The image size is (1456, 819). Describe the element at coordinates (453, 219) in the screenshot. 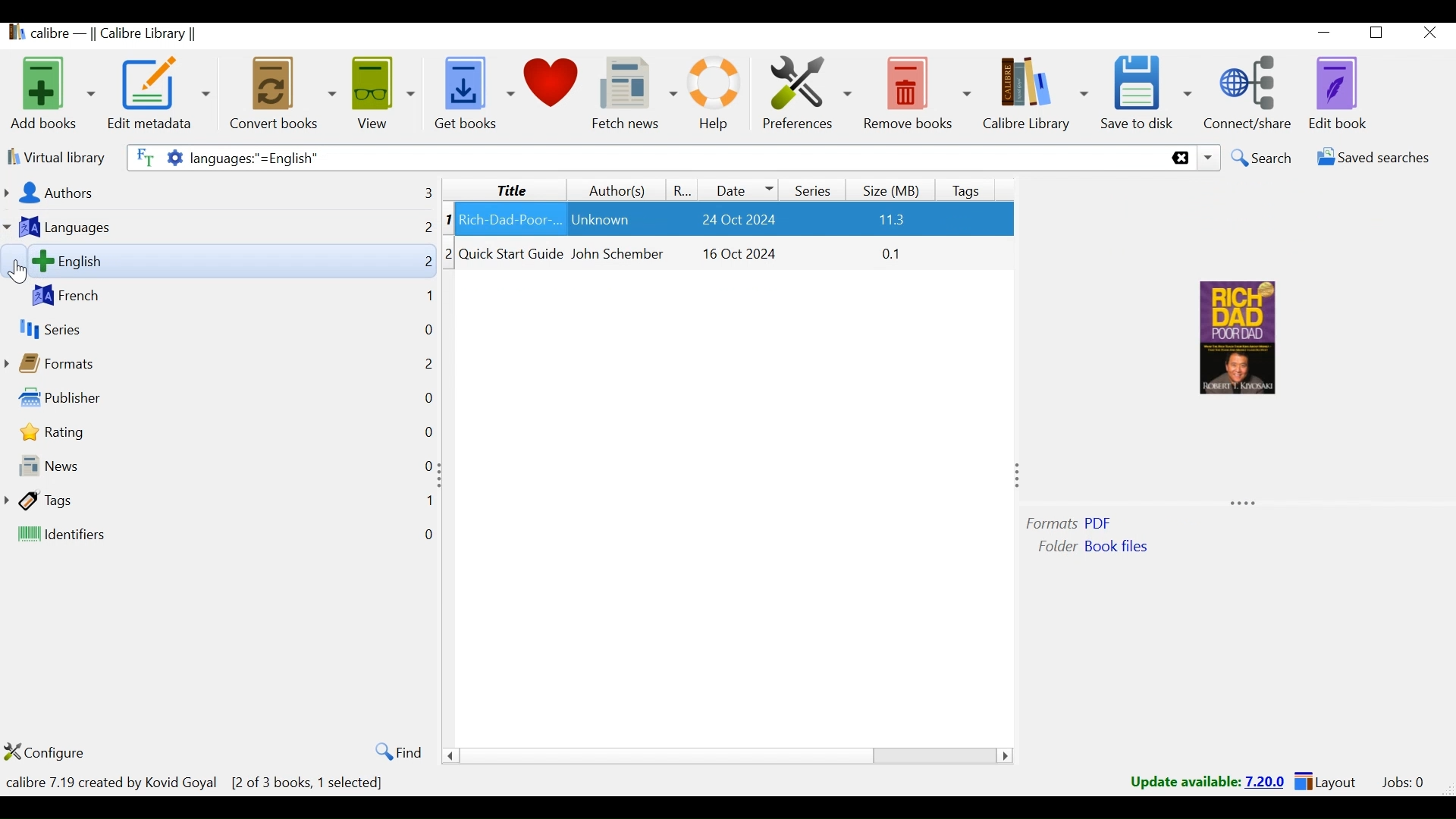

I see `1` at that location.